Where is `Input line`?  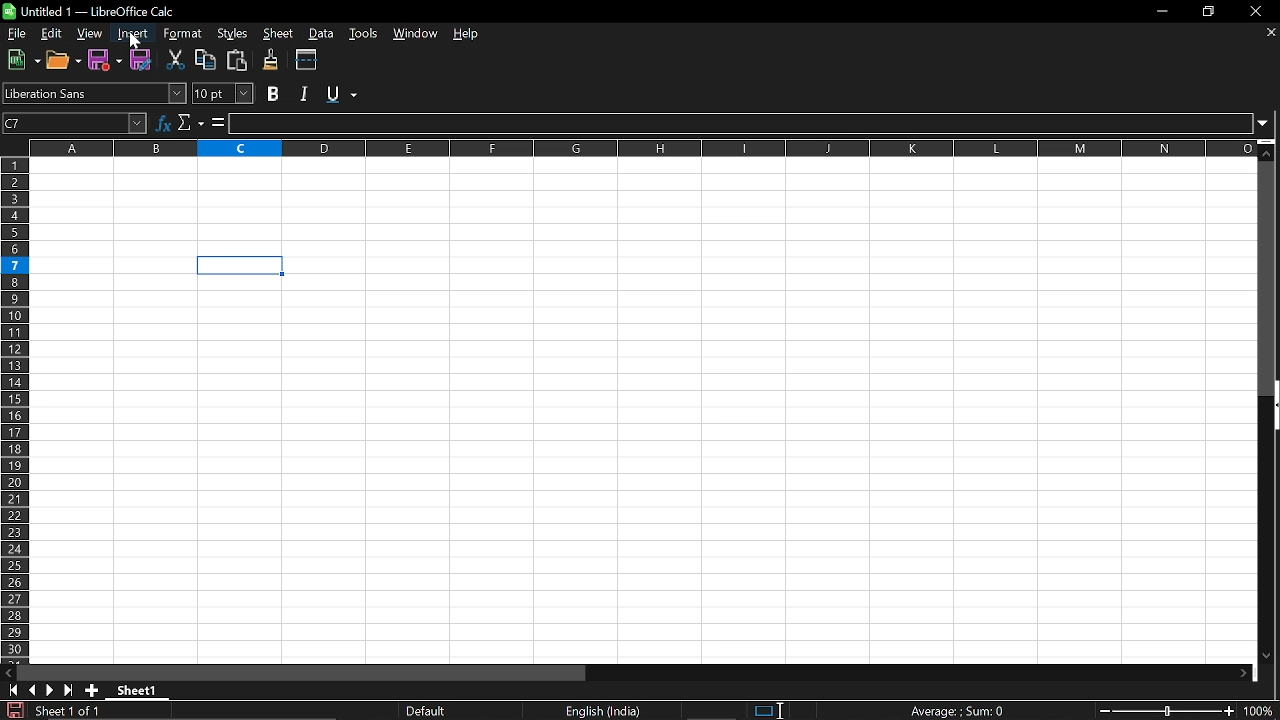
Input line is located at coordinates (741, 124).